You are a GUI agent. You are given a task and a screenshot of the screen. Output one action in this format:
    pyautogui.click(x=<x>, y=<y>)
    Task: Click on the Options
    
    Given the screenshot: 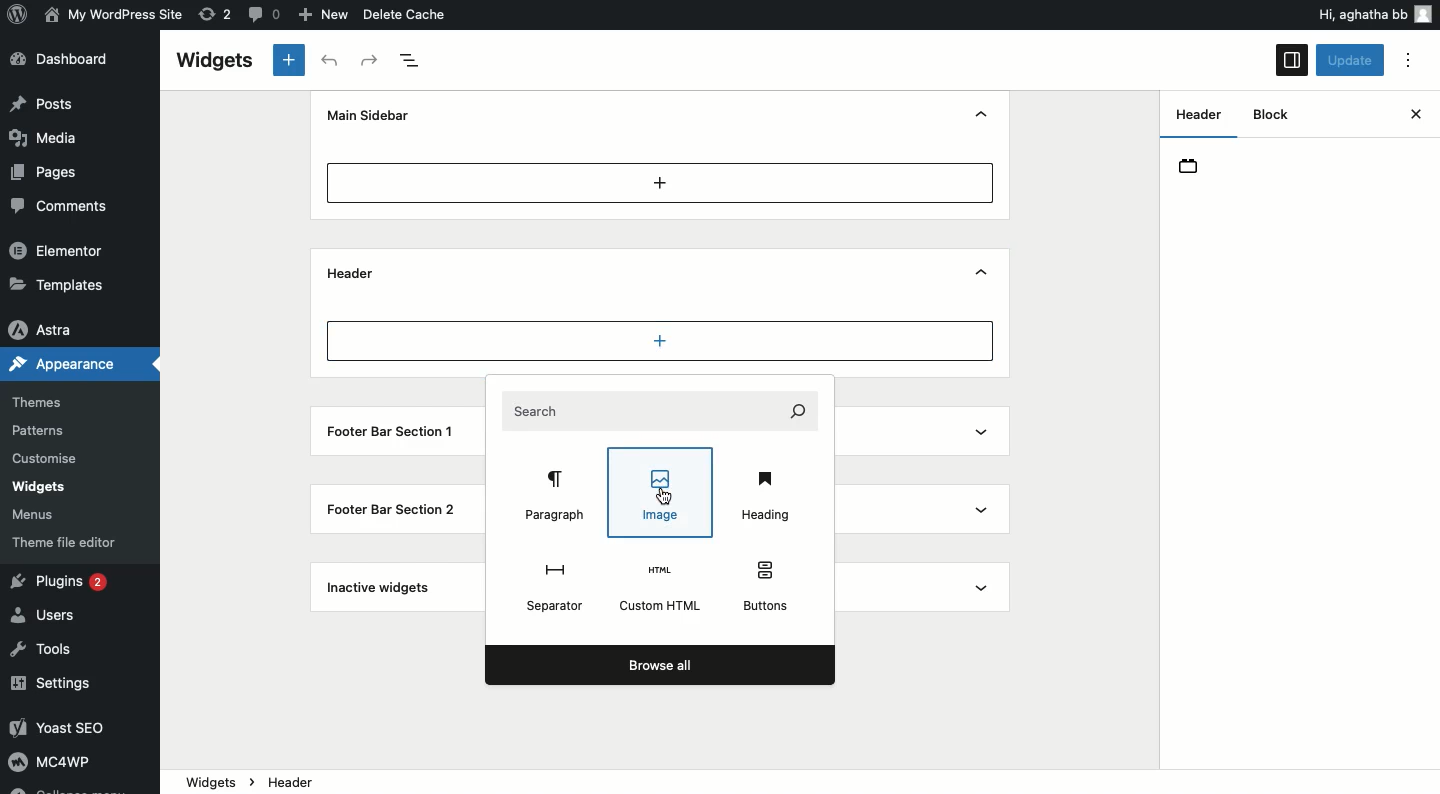 What is the action you would take?
    pyautogui.click(x=1408, y=61)
    